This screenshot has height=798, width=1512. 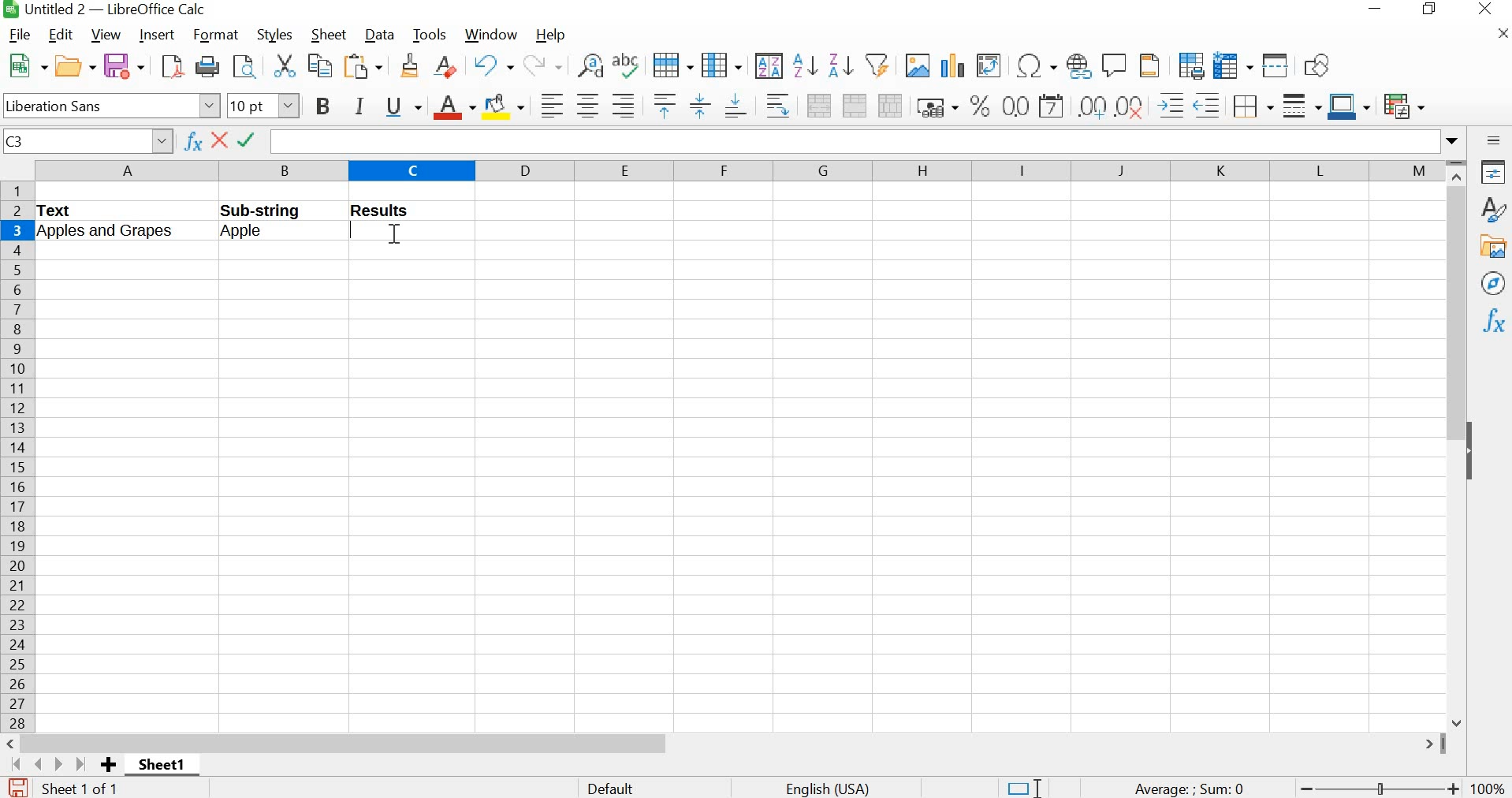 What do you see at coordinates (125, 65) in the screenshot?
I see `save` at bounding box center [125, 65].